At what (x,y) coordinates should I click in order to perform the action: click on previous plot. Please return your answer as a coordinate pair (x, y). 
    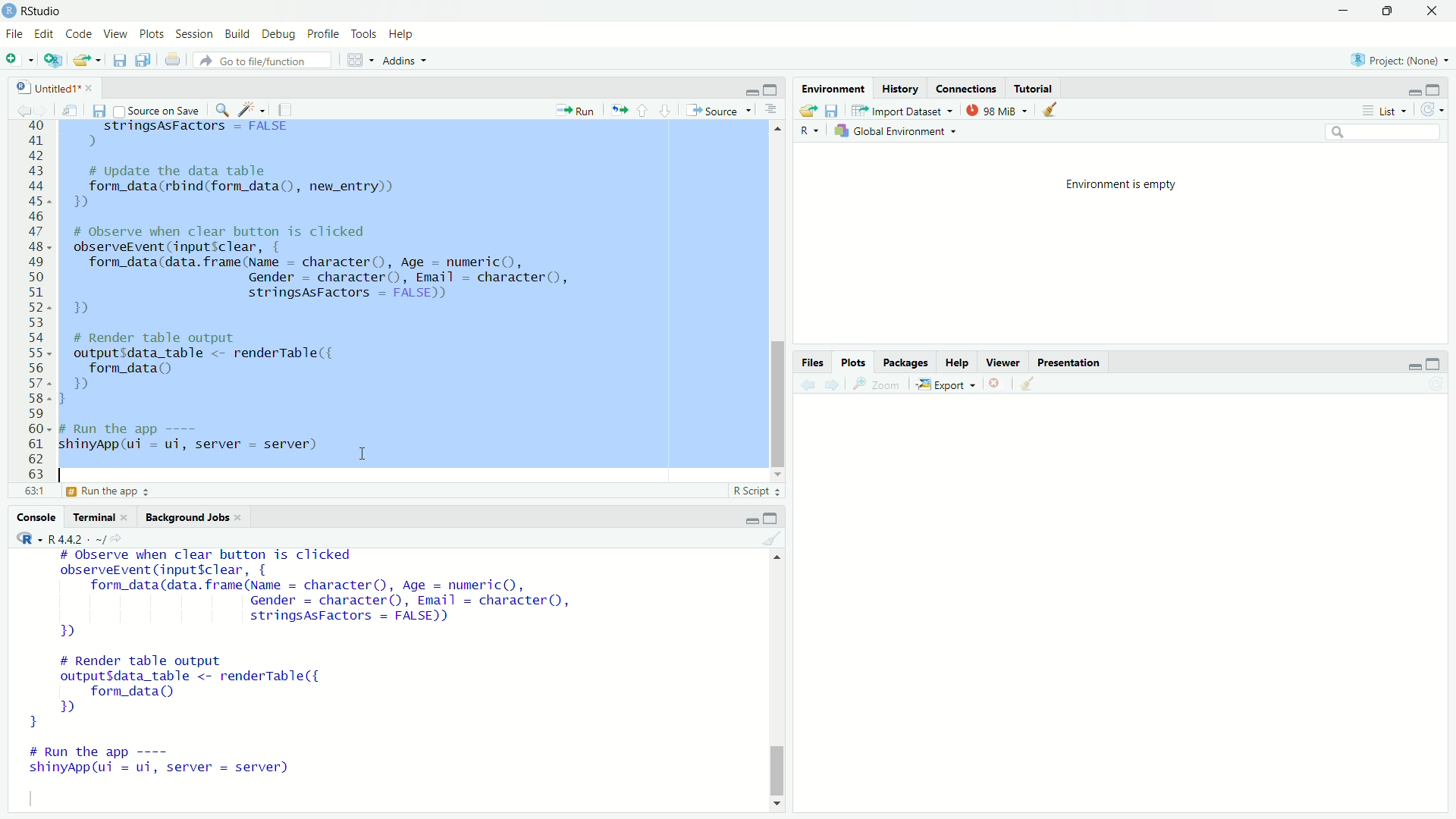
    Looking at the image, I should click on (805, 384).